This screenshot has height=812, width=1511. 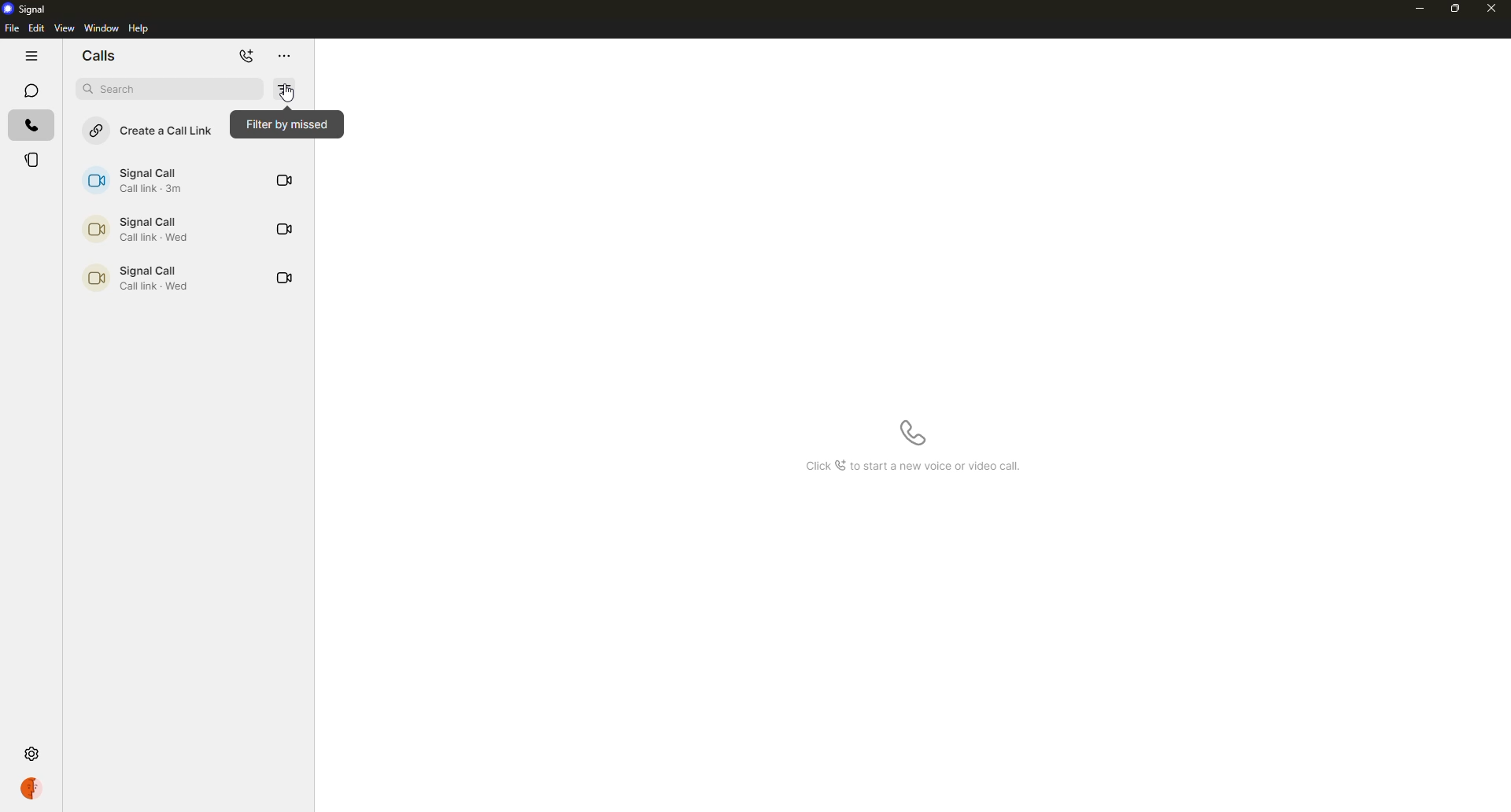 What do you see at coordinates (143, 180) in the screenshot?
I see `call link` at bounding box center [143, 180].